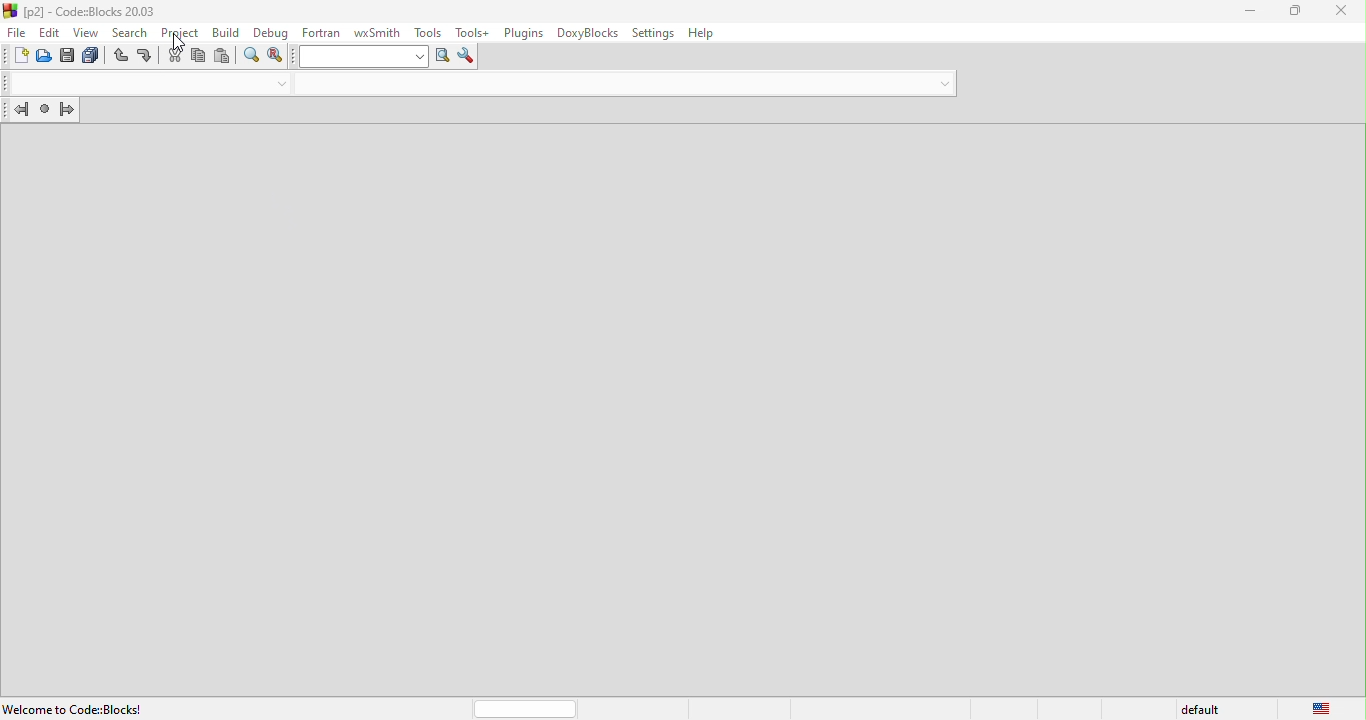 Image resolution: width=1366 pixels, height=720 pixels. Describe the element at coordinates (941, 81) in the screenshot. I see `drop down` at that location.